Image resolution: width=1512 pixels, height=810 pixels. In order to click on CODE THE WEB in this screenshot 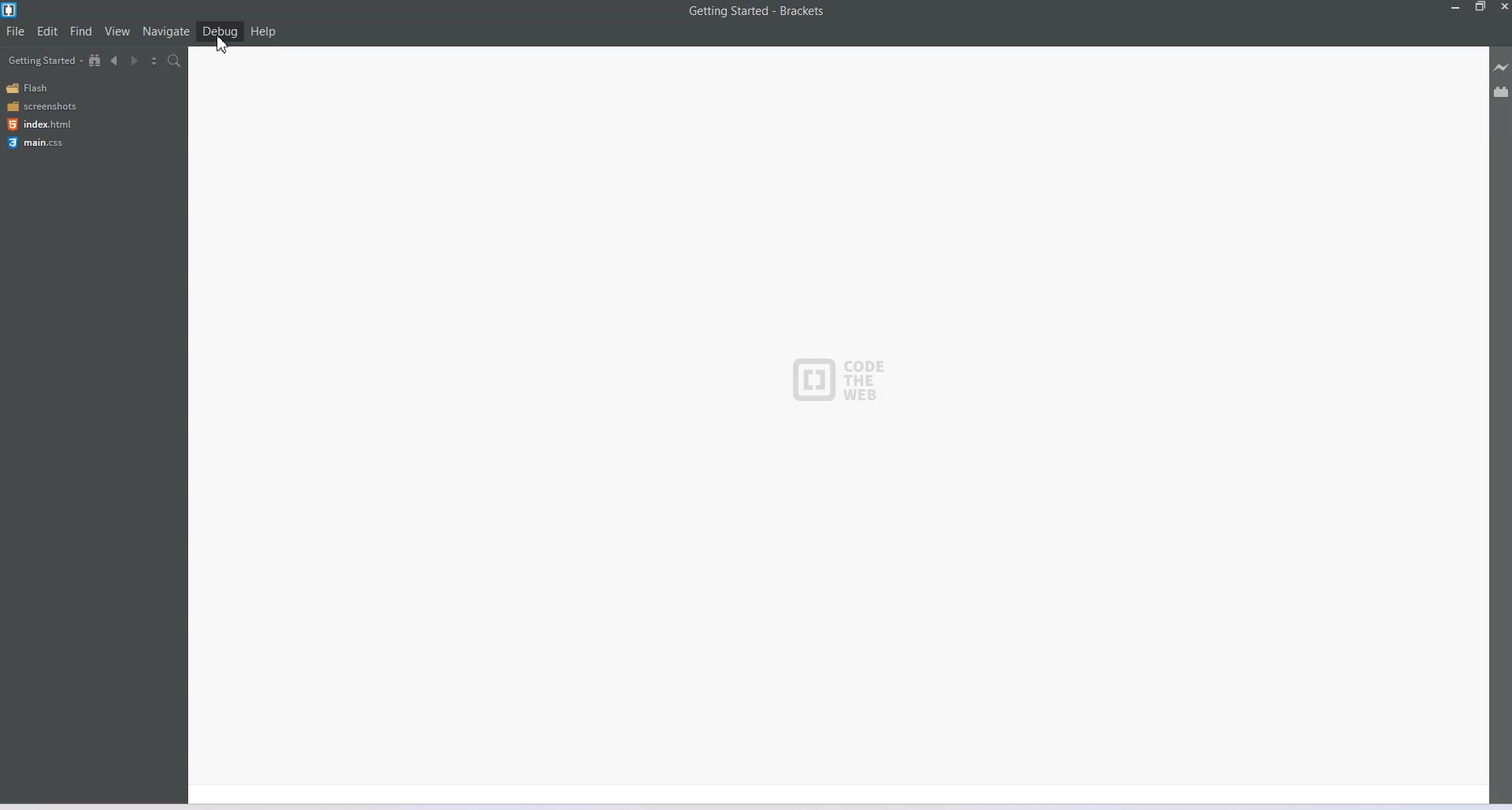, I will do `click(839, 377)`.